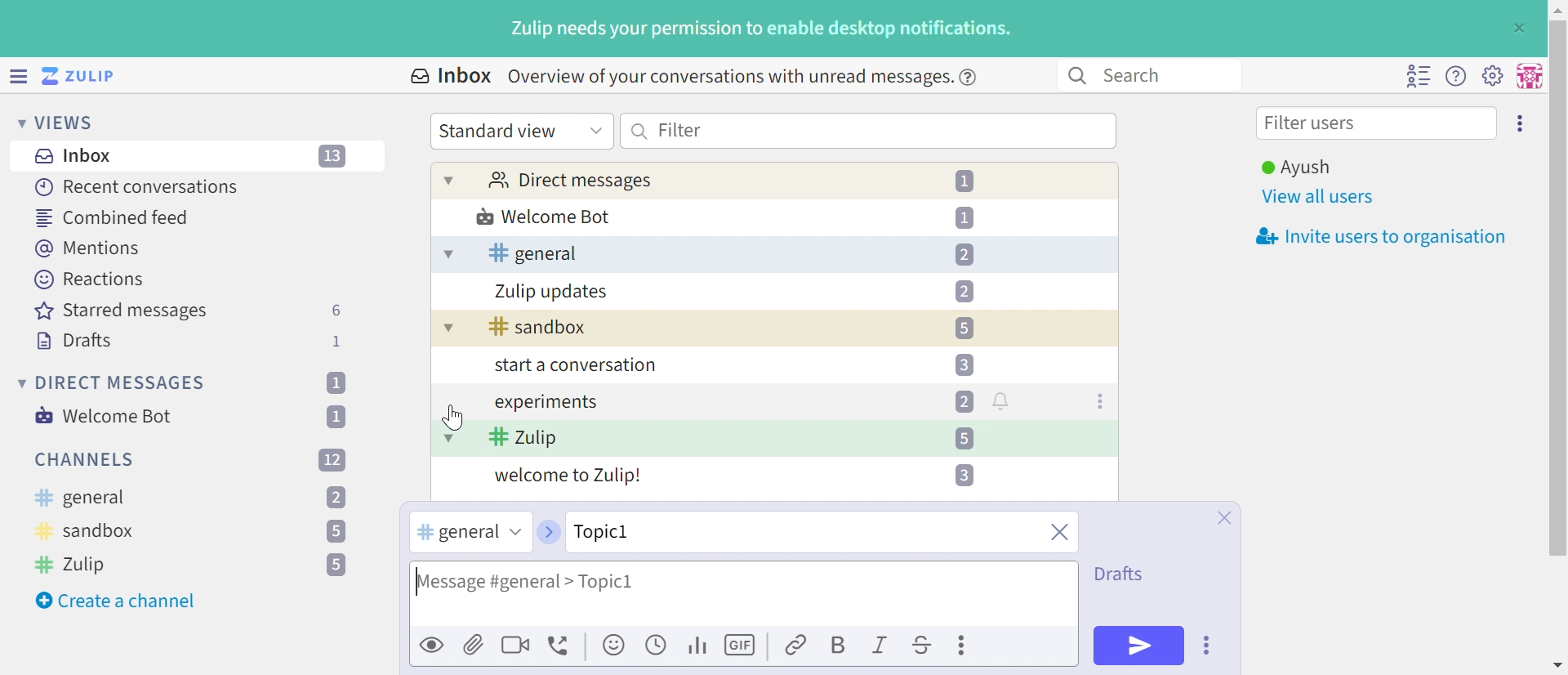 The width and height of the screenshot is (1568, 675). I want to click on Zulip, so click(74, 564).